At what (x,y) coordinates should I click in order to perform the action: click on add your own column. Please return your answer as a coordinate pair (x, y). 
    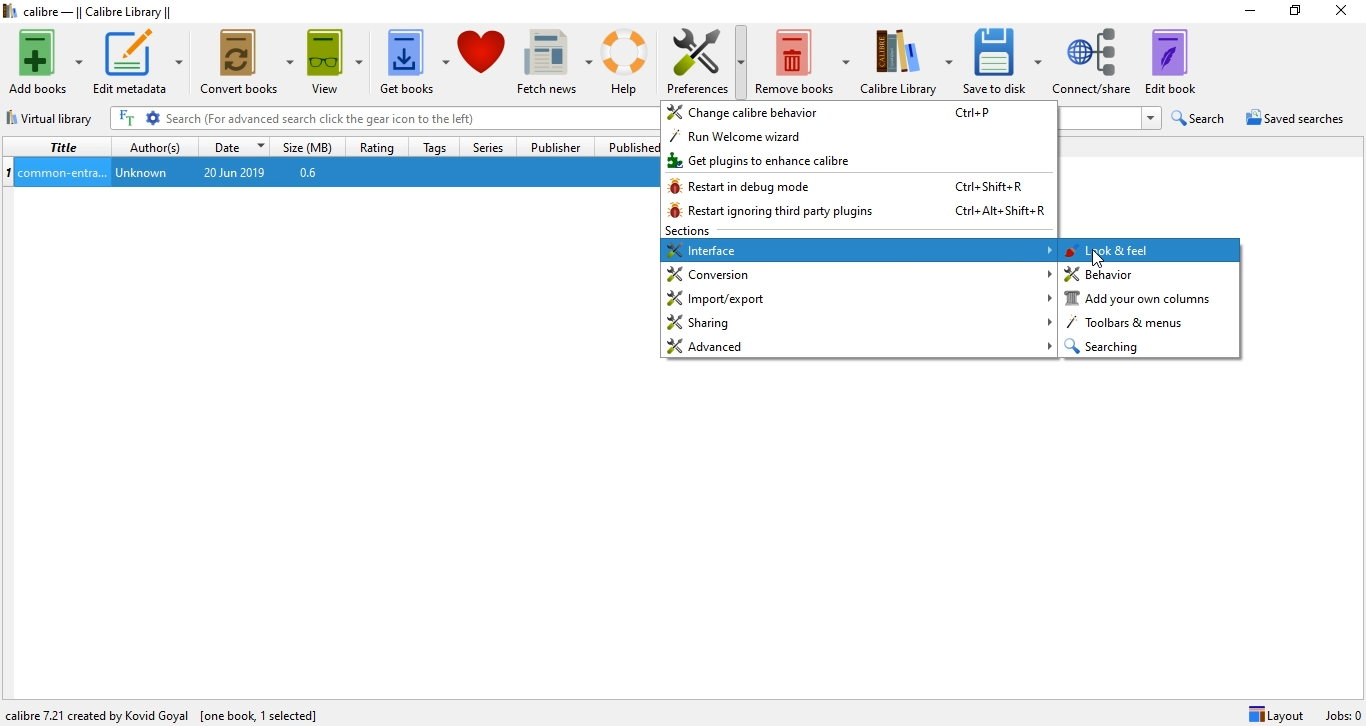
    Looking at the image, I should click on (1150, 299).